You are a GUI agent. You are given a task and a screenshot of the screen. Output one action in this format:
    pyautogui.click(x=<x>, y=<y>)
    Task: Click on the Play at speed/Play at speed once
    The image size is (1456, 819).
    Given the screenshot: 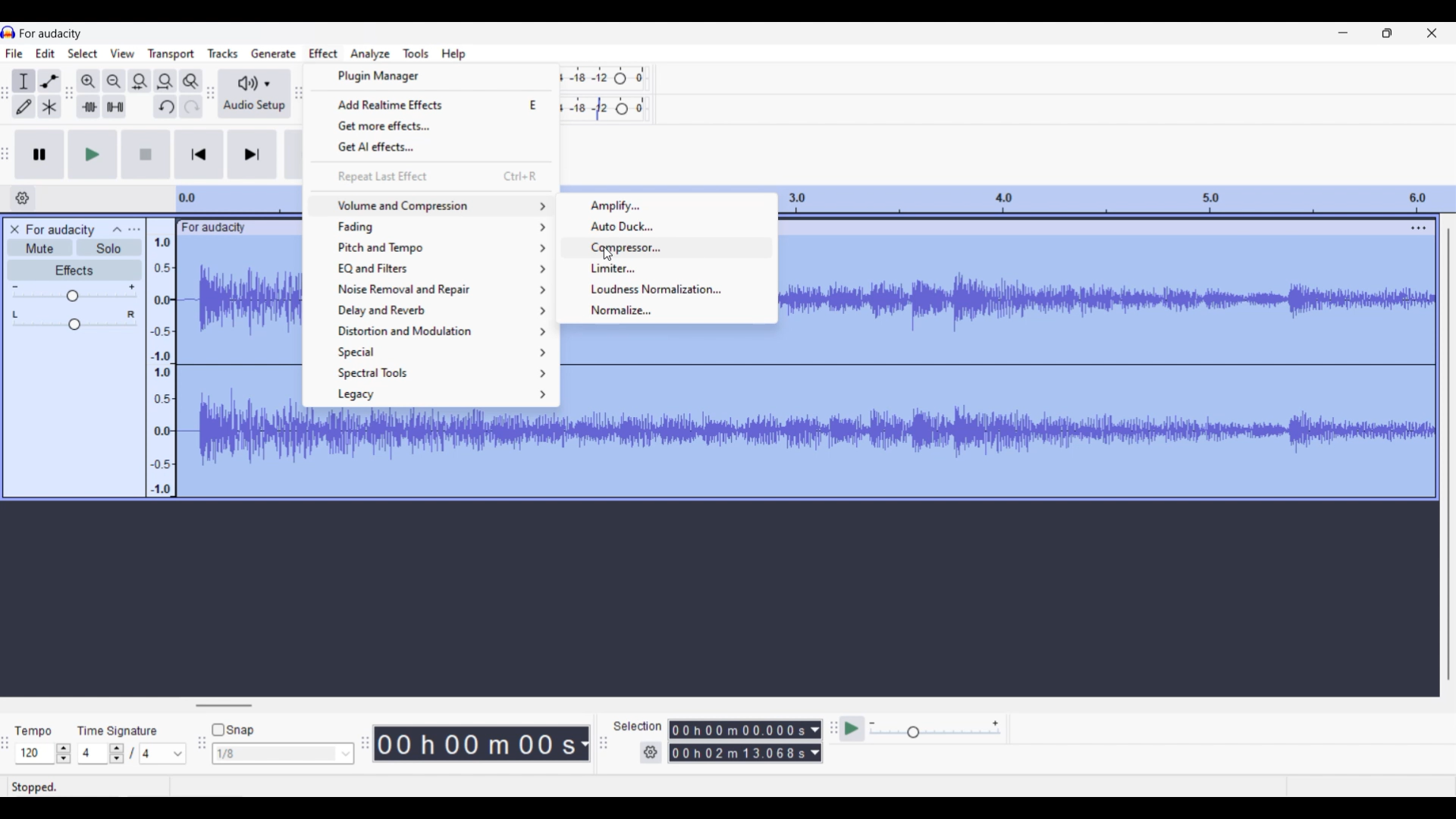 What is the action you would take?
    pyautogui.click(x=852, y=729)
    